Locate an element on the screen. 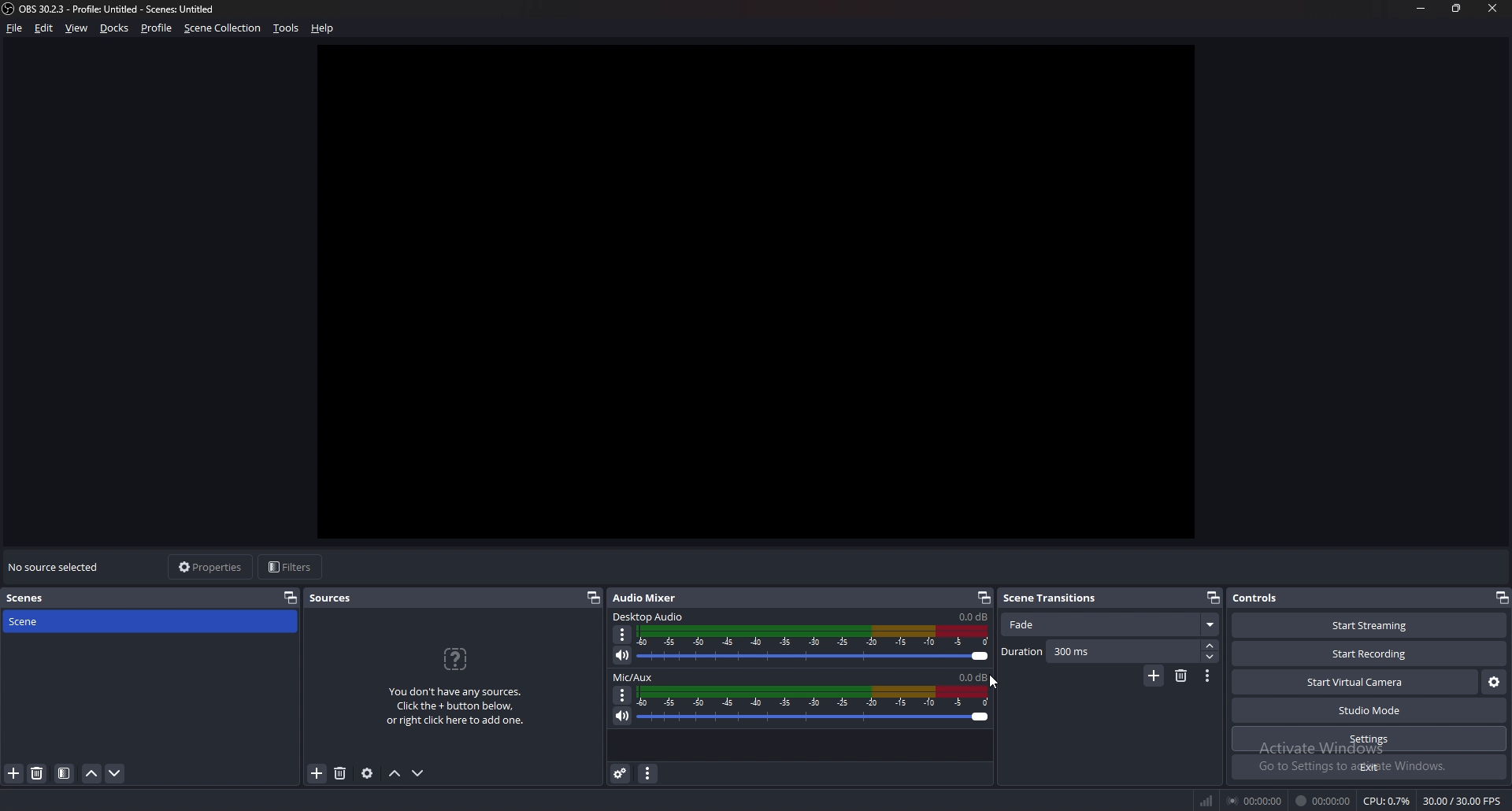 The width and height of the screenshot is (1512, 811). pop out is located at coordinates (593, 597).